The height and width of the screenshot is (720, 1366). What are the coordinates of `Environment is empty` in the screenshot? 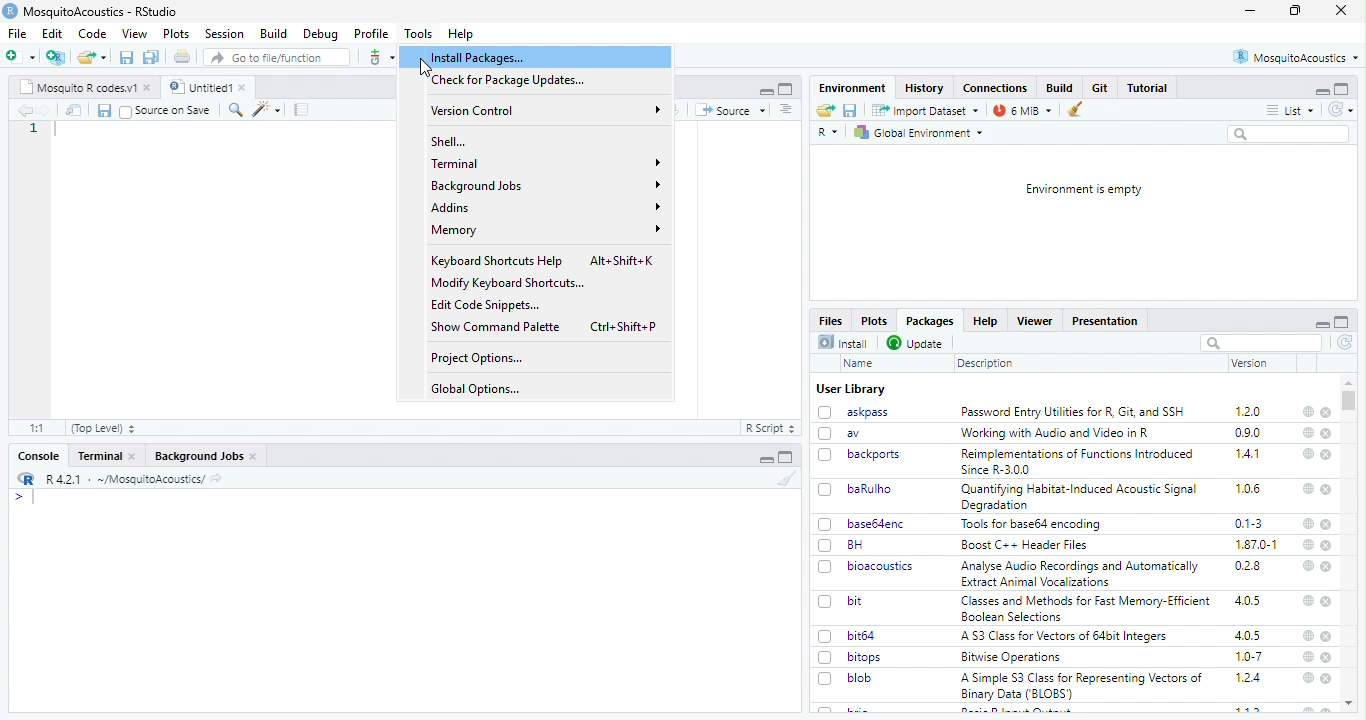 It's located at (1085, 190).